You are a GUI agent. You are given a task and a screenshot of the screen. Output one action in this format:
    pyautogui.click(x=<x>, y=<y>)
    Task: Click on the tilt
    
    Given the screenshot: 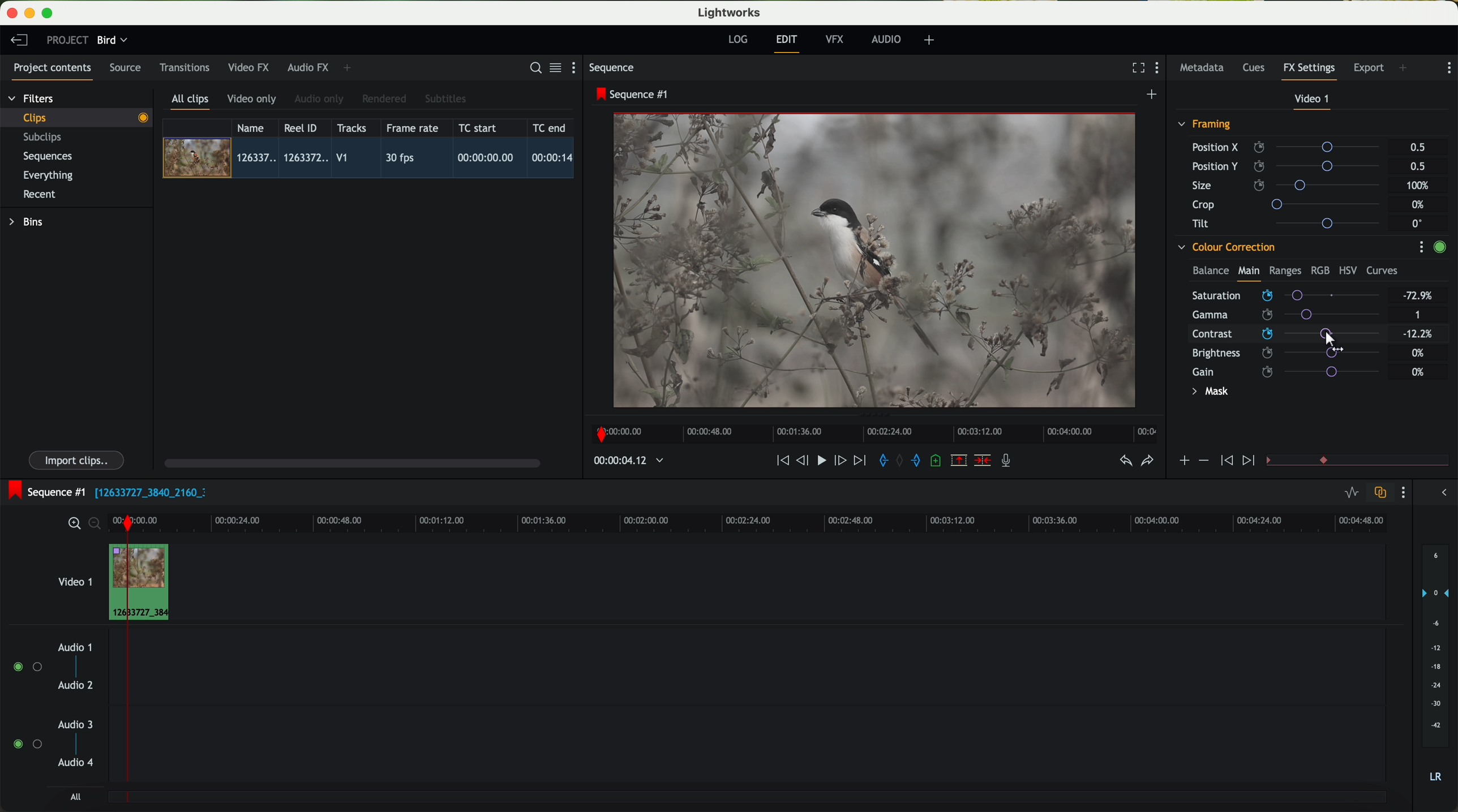 What is the action you would take?
    pyautogui.click(x=1291, y=223)
    